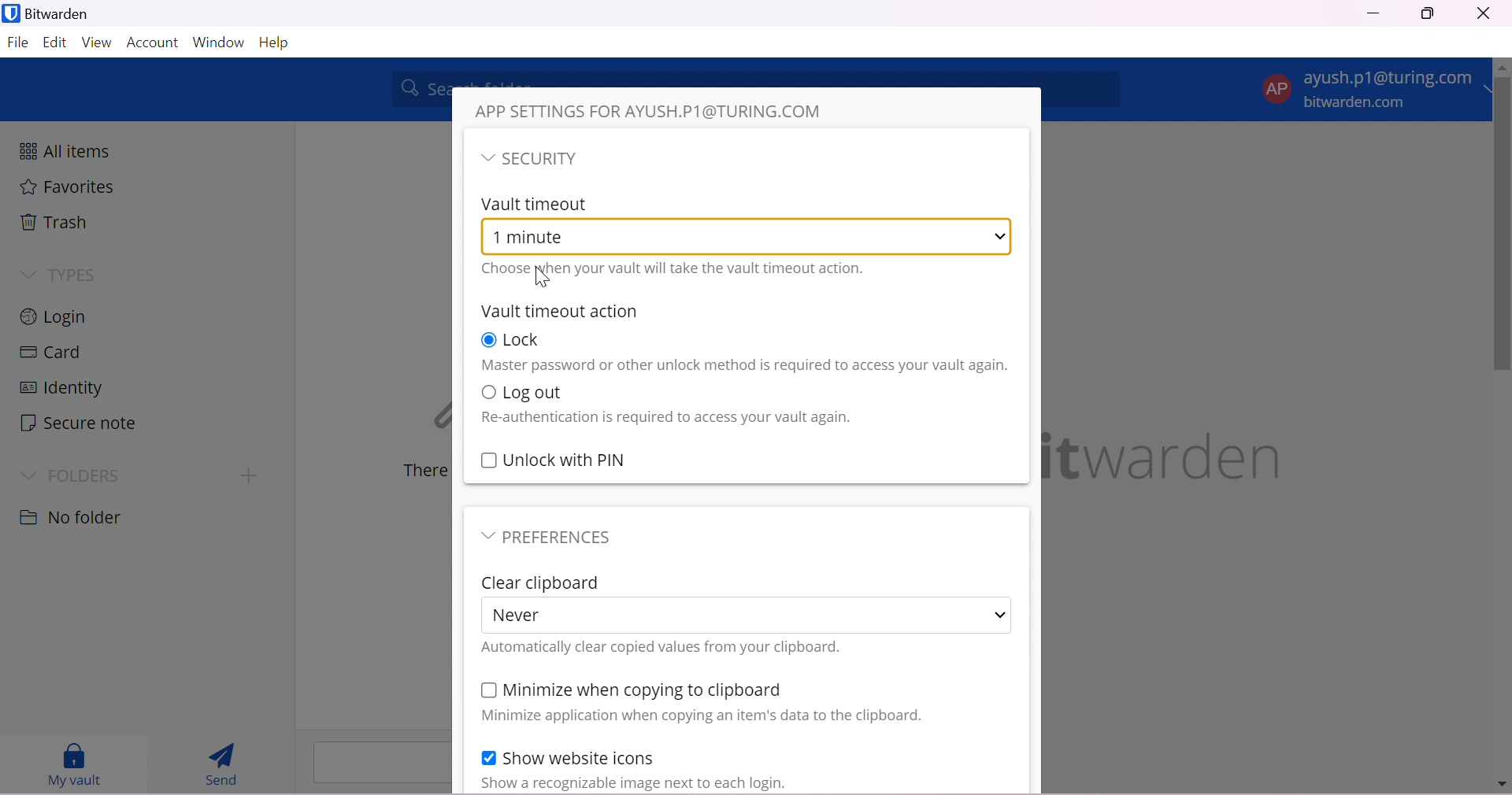  I want to click on Send, so click(220, 764).